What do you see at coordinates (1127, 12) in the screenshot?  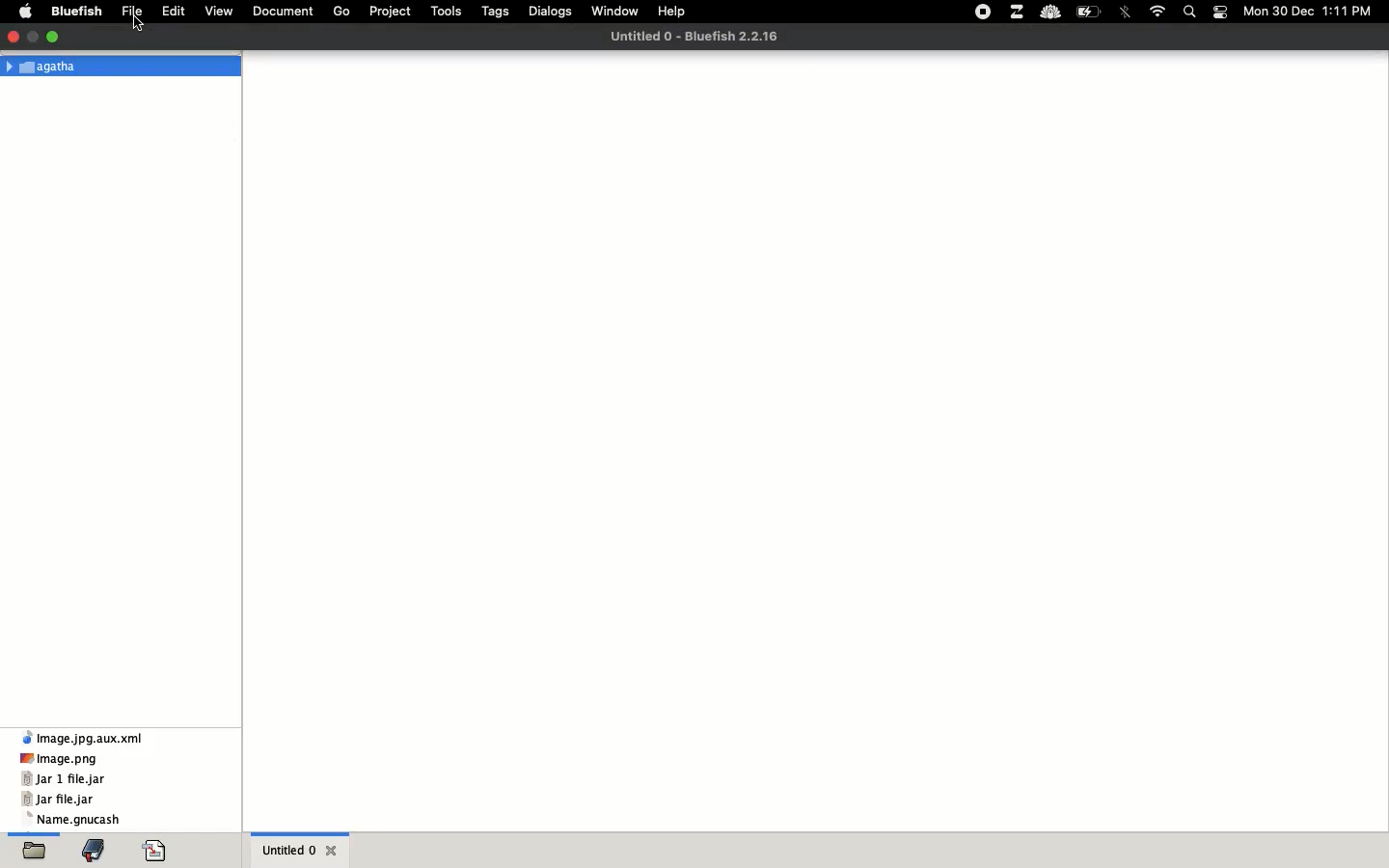 I see `bluetooth` at bounding box center [1127, 12].